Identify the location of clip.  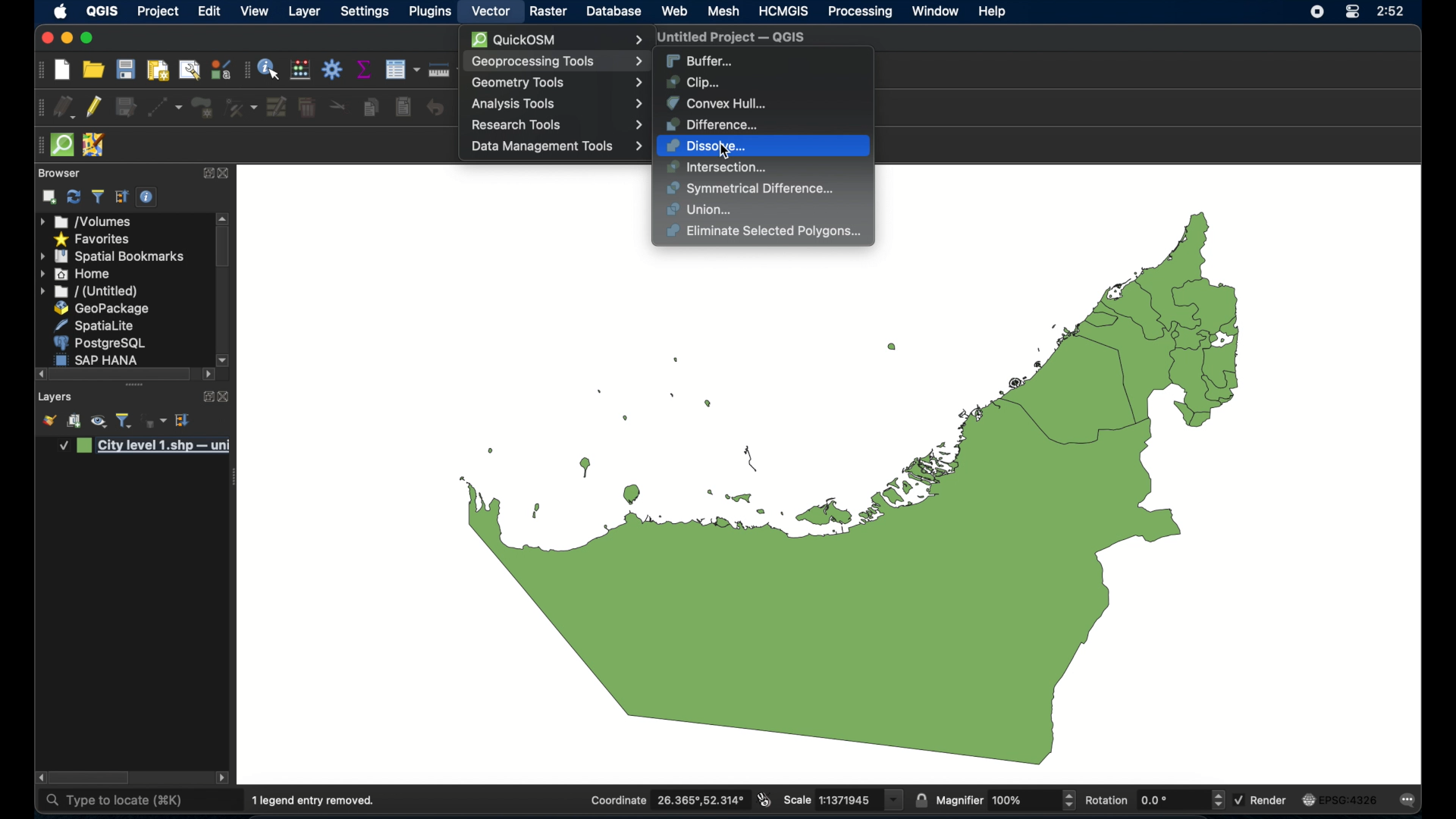
(696, 82).